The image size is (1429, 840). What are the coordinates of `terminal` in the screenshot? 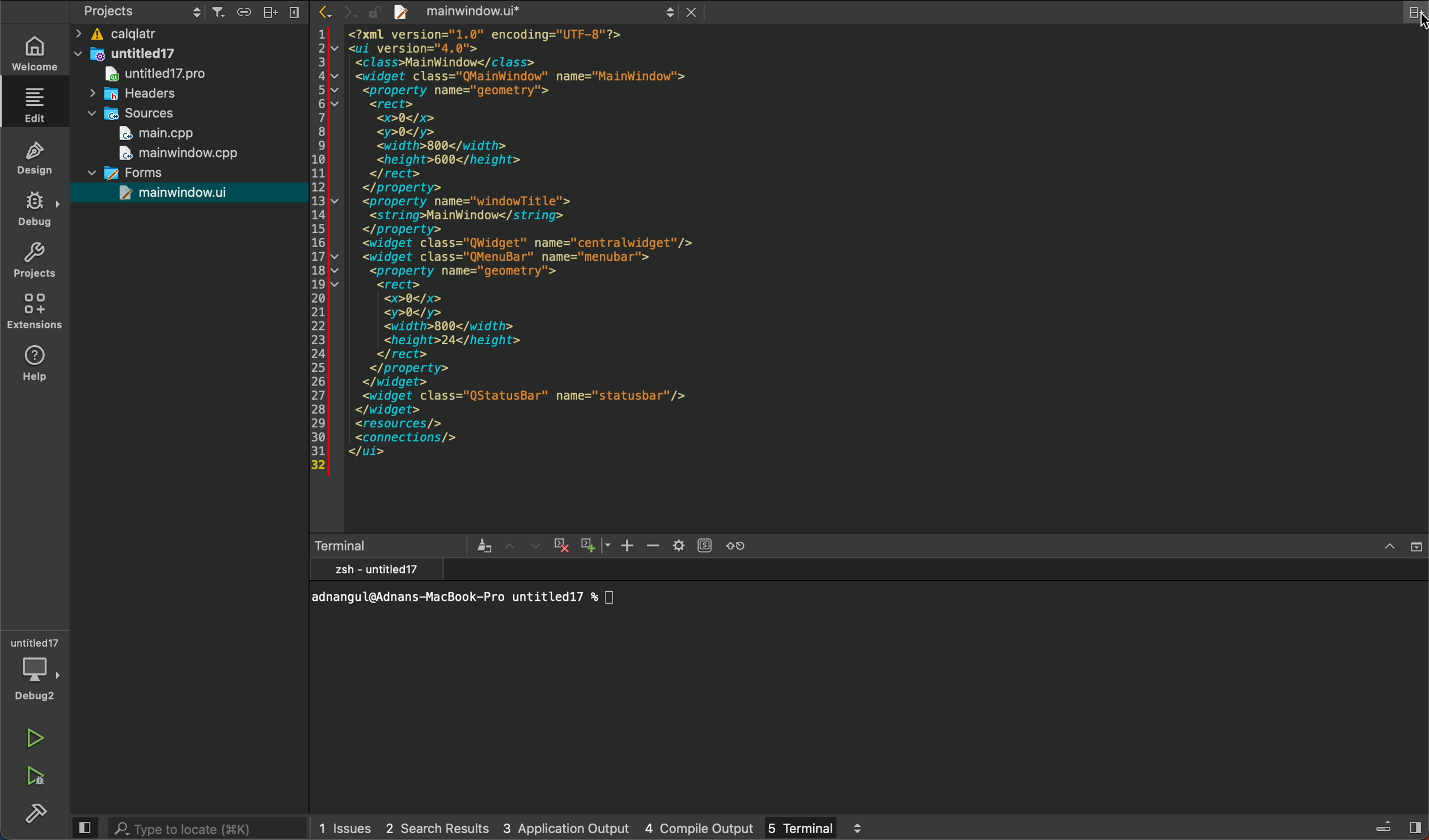 It's located at (870, 684).